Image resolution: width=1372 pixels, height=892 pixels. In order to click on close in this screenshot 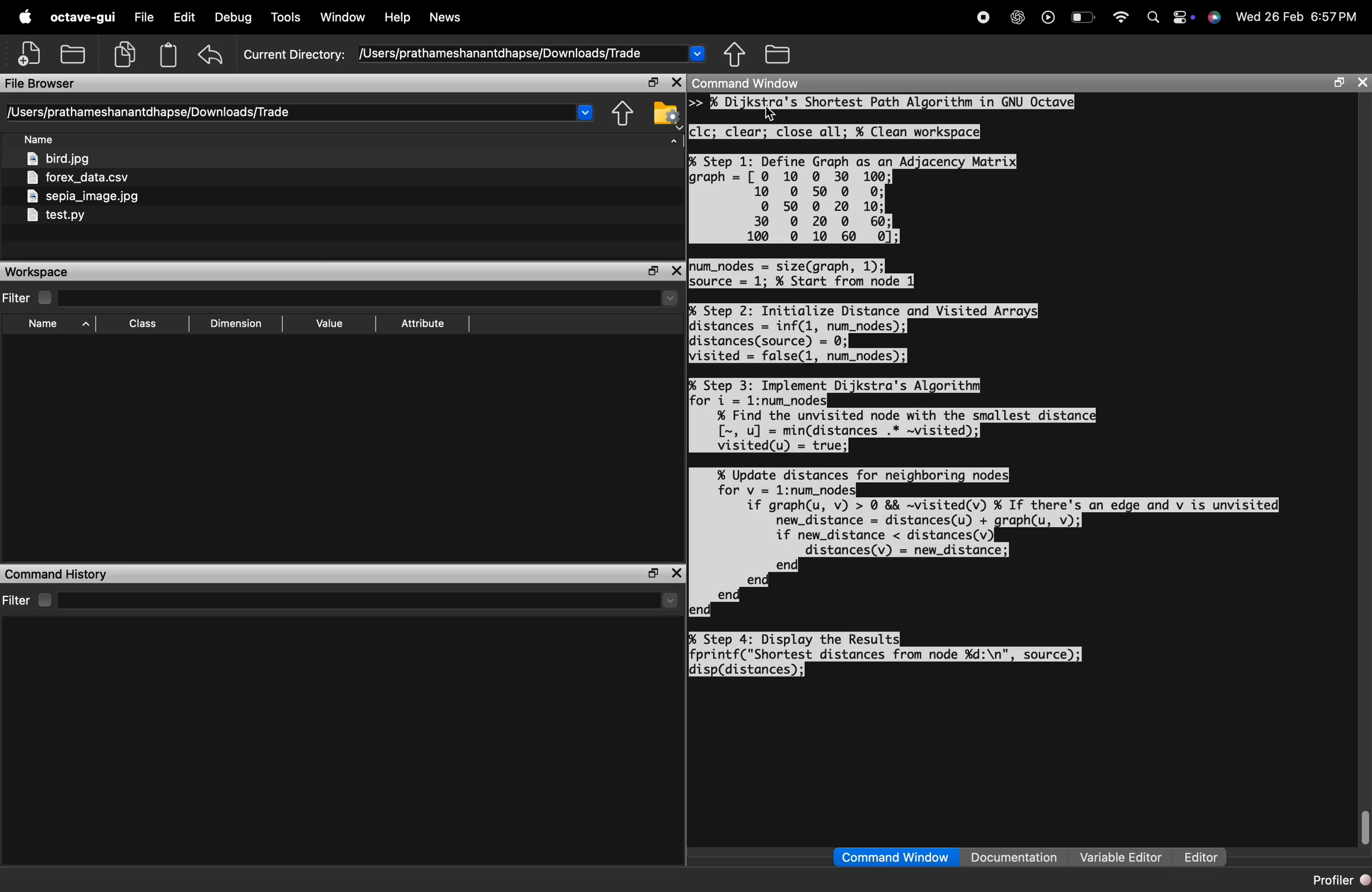, I will do `click(1363, 83)`.